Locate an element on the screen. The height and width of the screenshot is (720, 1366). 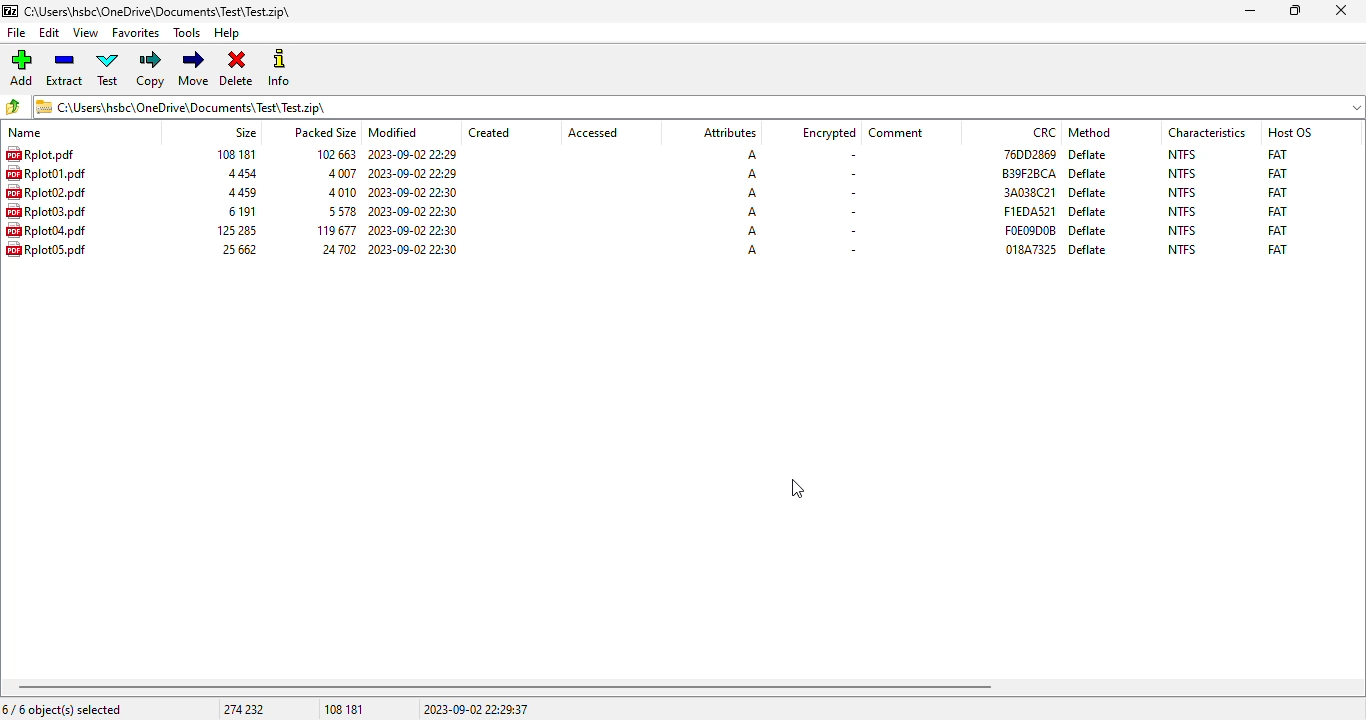
packed size is located at coordinates (340, 192).